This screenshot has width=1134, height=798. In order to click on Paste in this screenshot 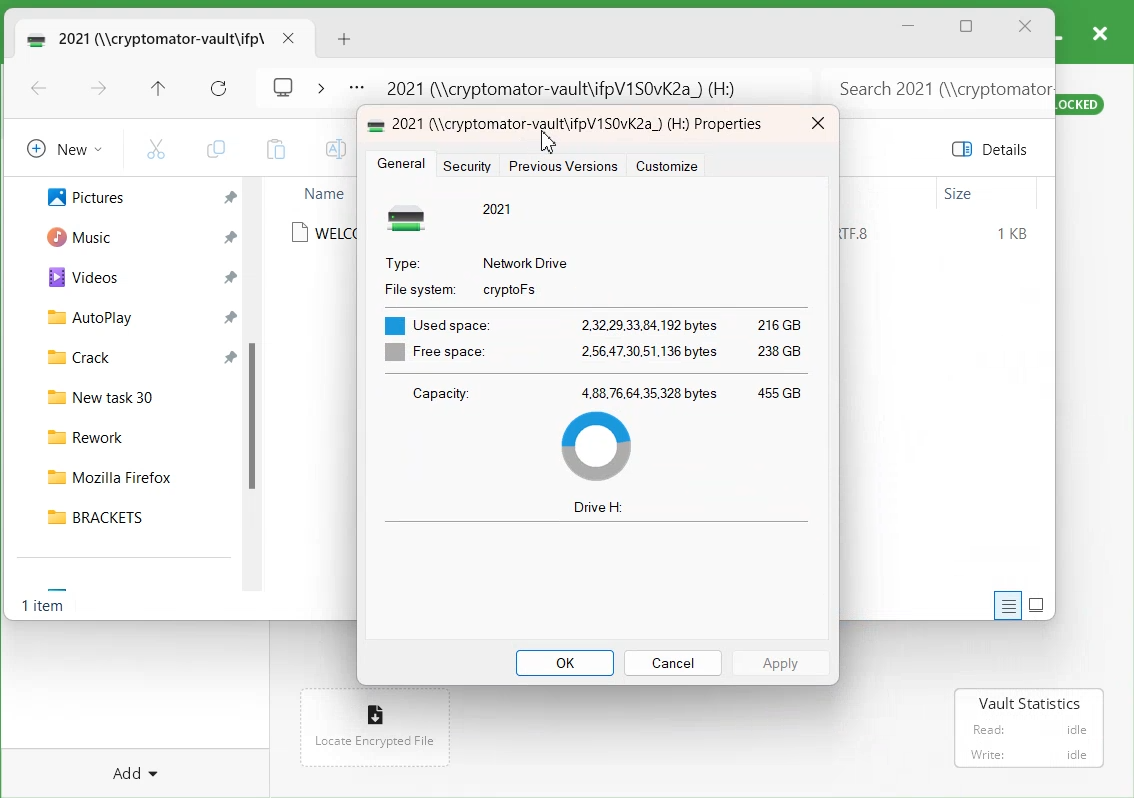, I will do `click(275, 149)`.